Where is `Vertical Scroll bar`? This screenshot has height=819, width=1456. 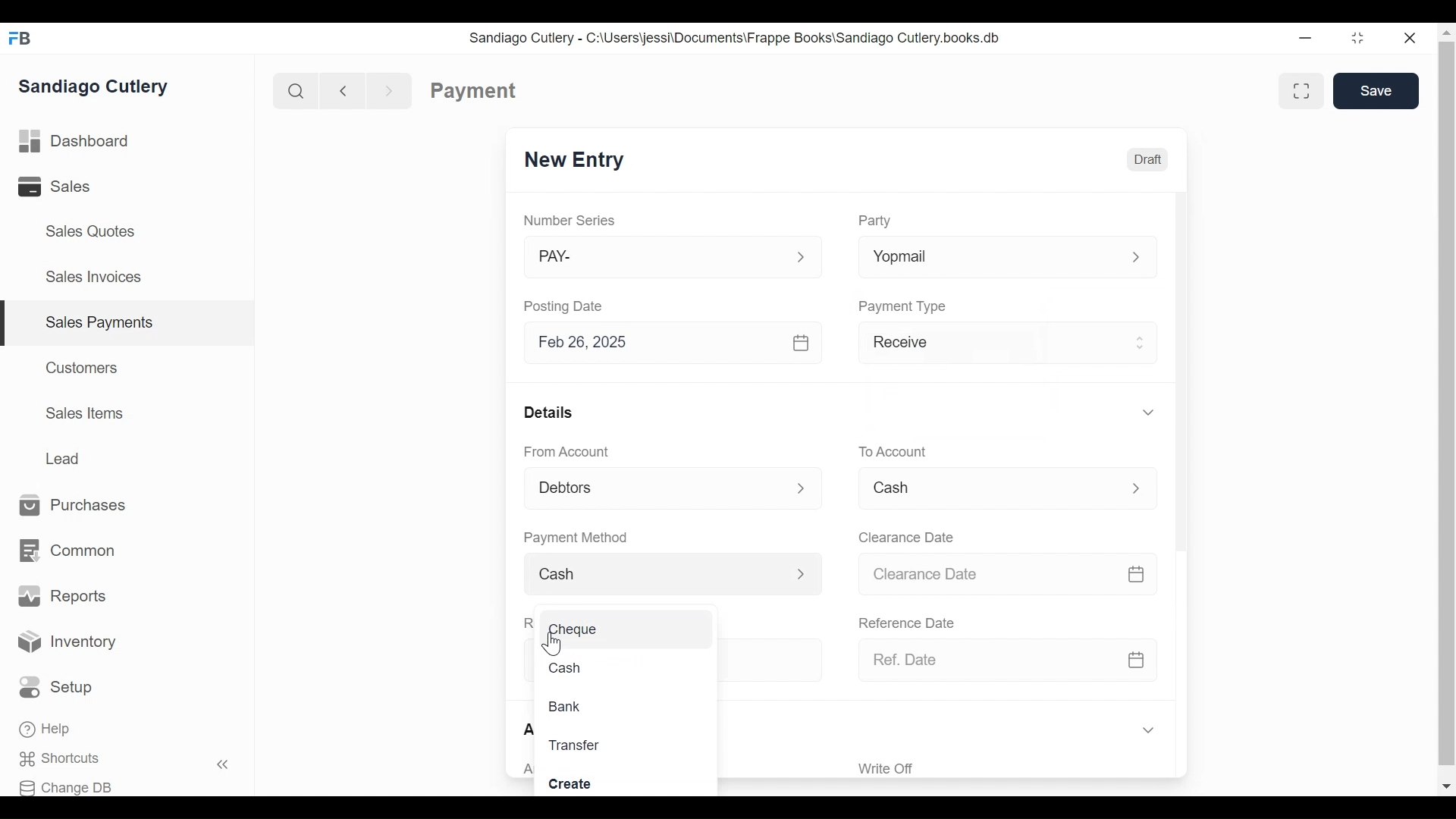 Vertical Scroll bar is located at coordinates (1447, 406).